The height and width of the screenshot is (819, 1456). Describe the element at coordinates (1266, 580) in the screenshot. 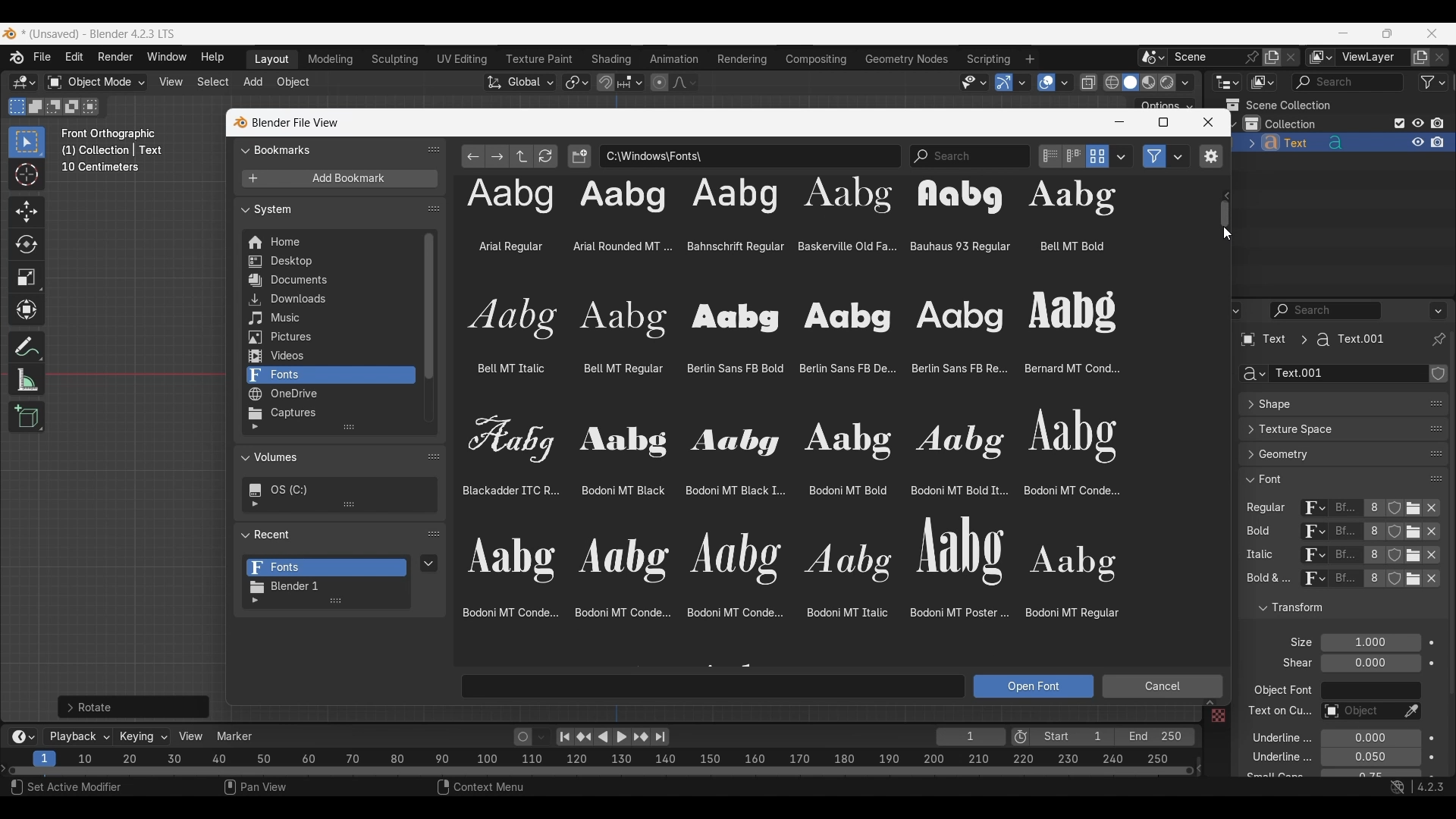

I see `text` at that location.